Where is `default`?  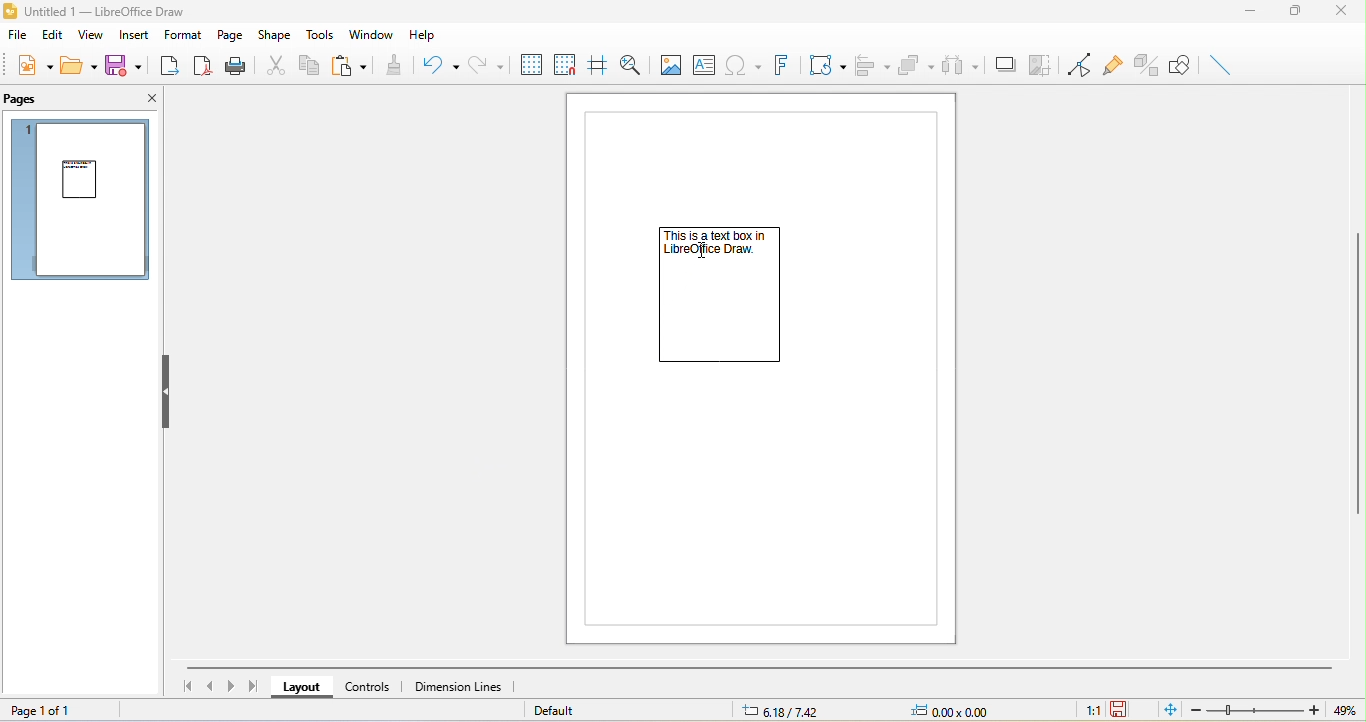
default is located at coordinates (564, 711).